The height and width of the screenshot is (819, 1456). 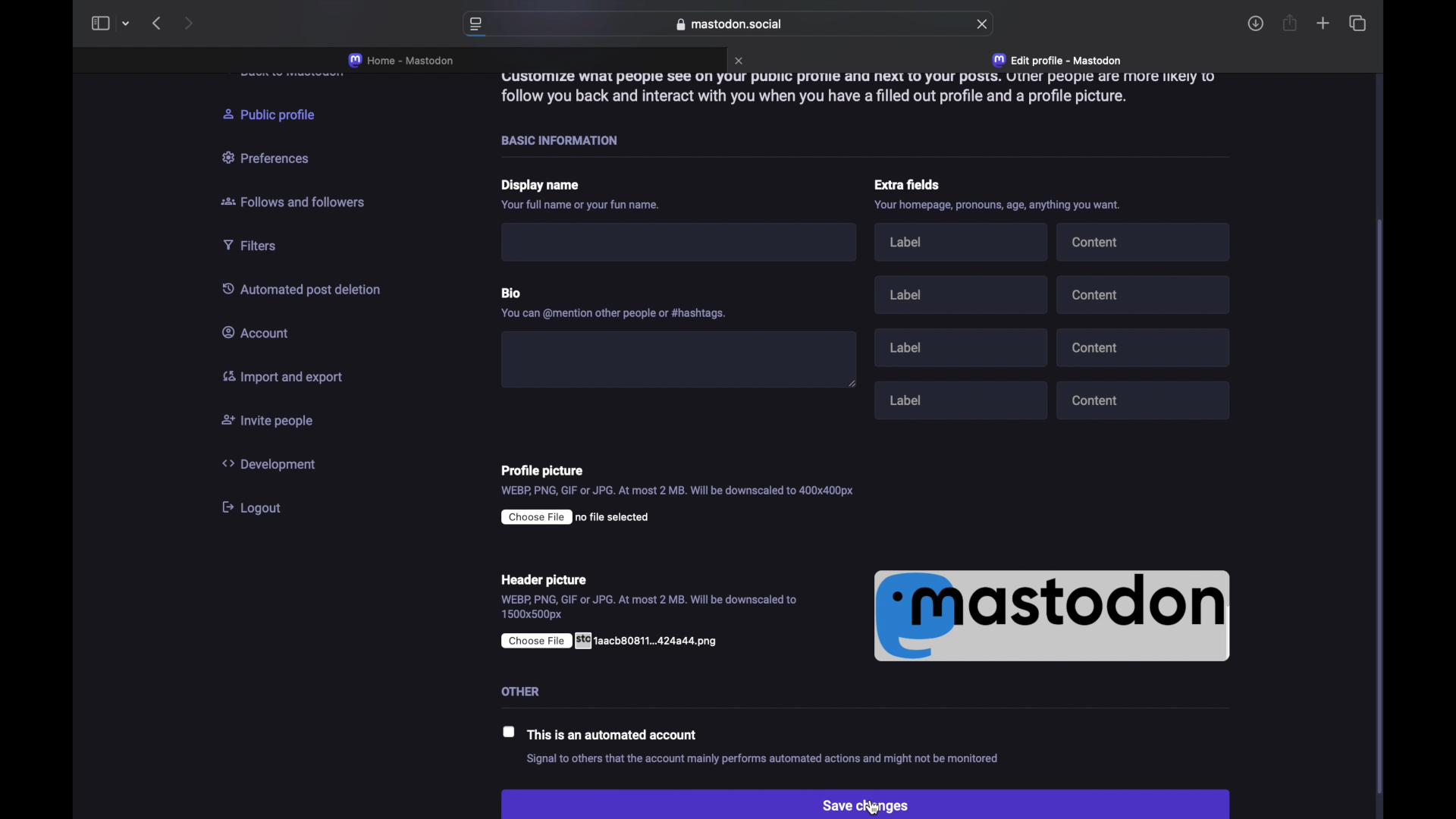 I want to click on Filters, so click(x=254, y=247).